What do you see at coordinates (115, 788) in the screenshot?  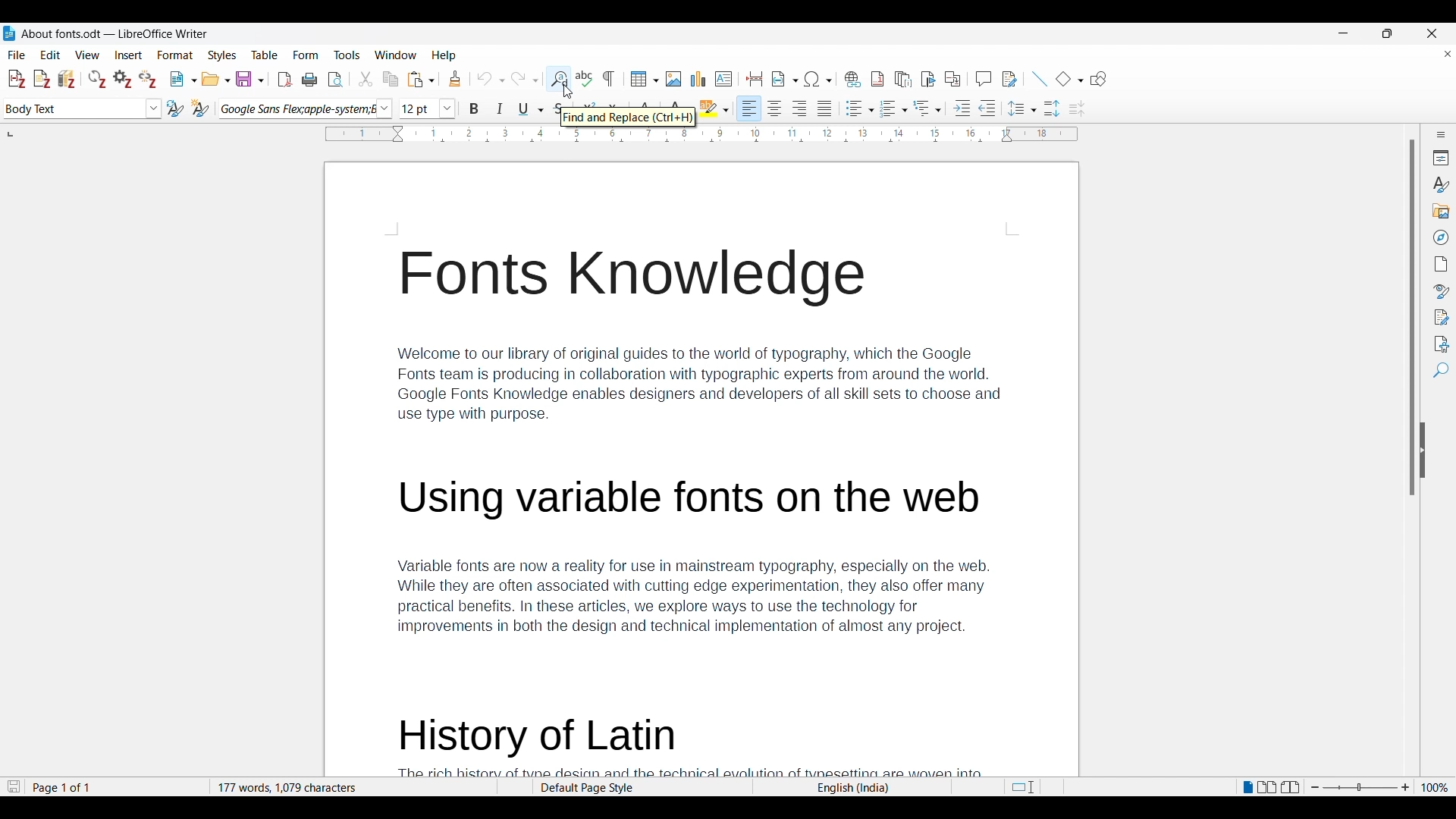 I see `Current page w.r.t. total number of pages` at bounding box center [115, 788].